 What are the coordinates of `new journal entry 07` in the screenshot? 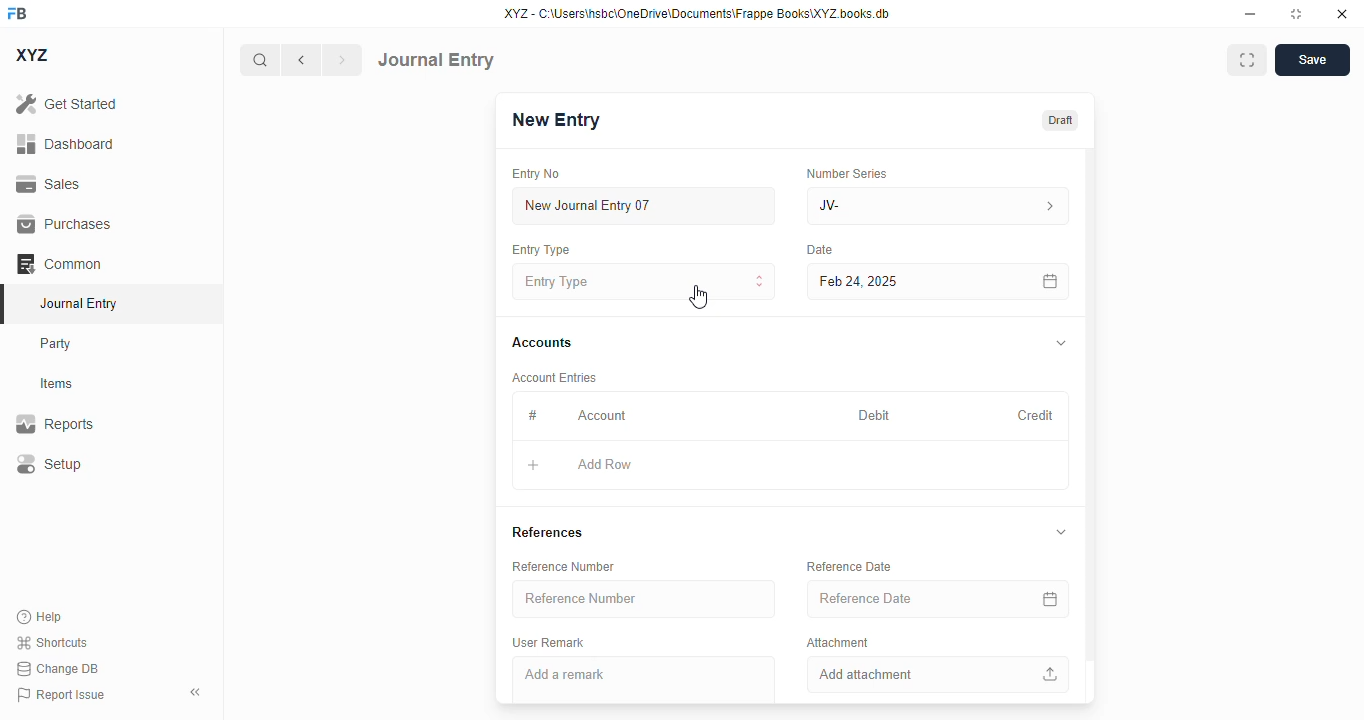 It's located at (645, 205).